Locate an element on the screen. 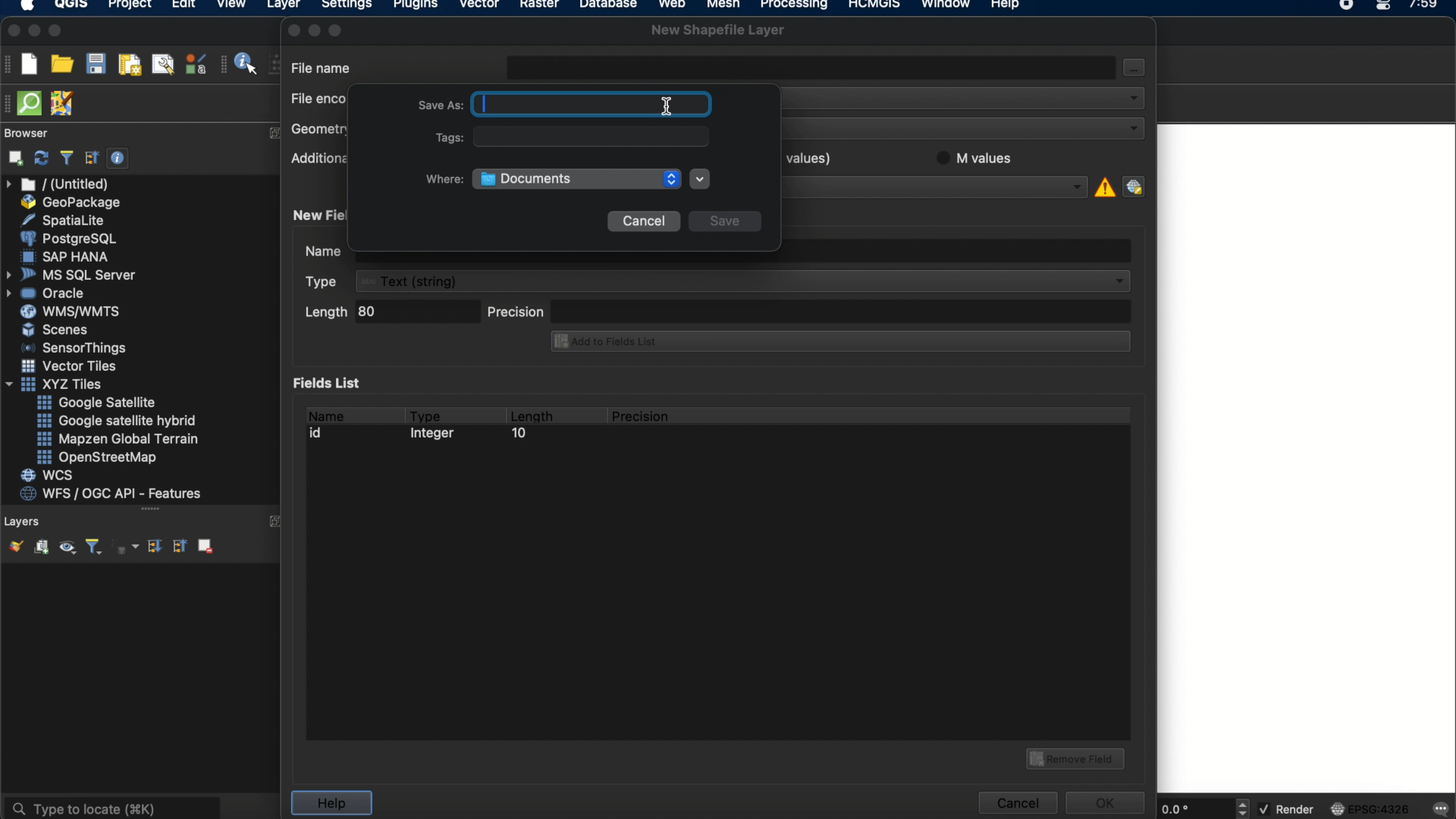 This screenshot has width=1456, height=819. mesh is located at coordinates (723, 6).